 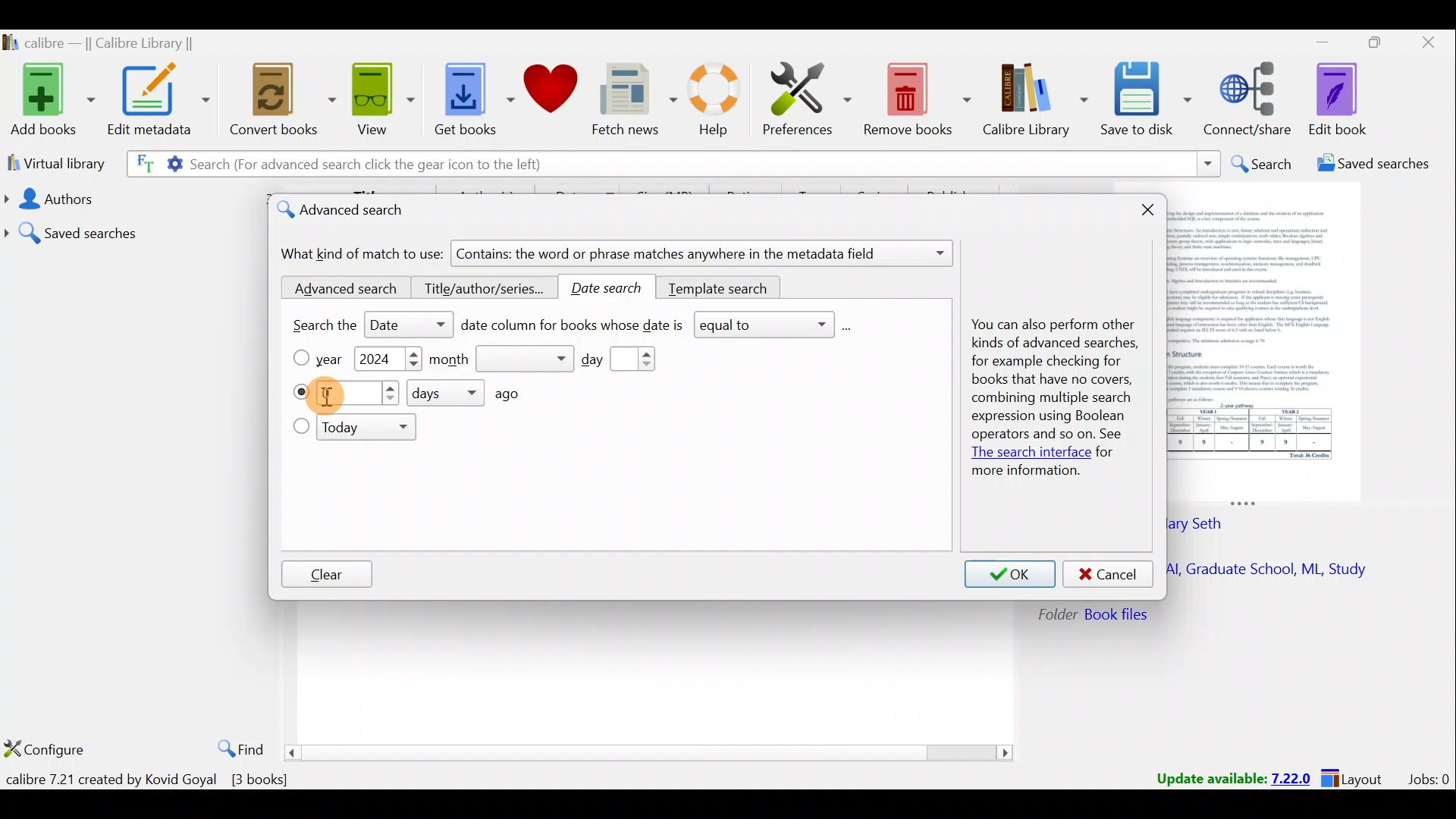 What do you see at coordinates (237, 746) in the screenshot?
I see `Find` at bounding box center [237, 746].